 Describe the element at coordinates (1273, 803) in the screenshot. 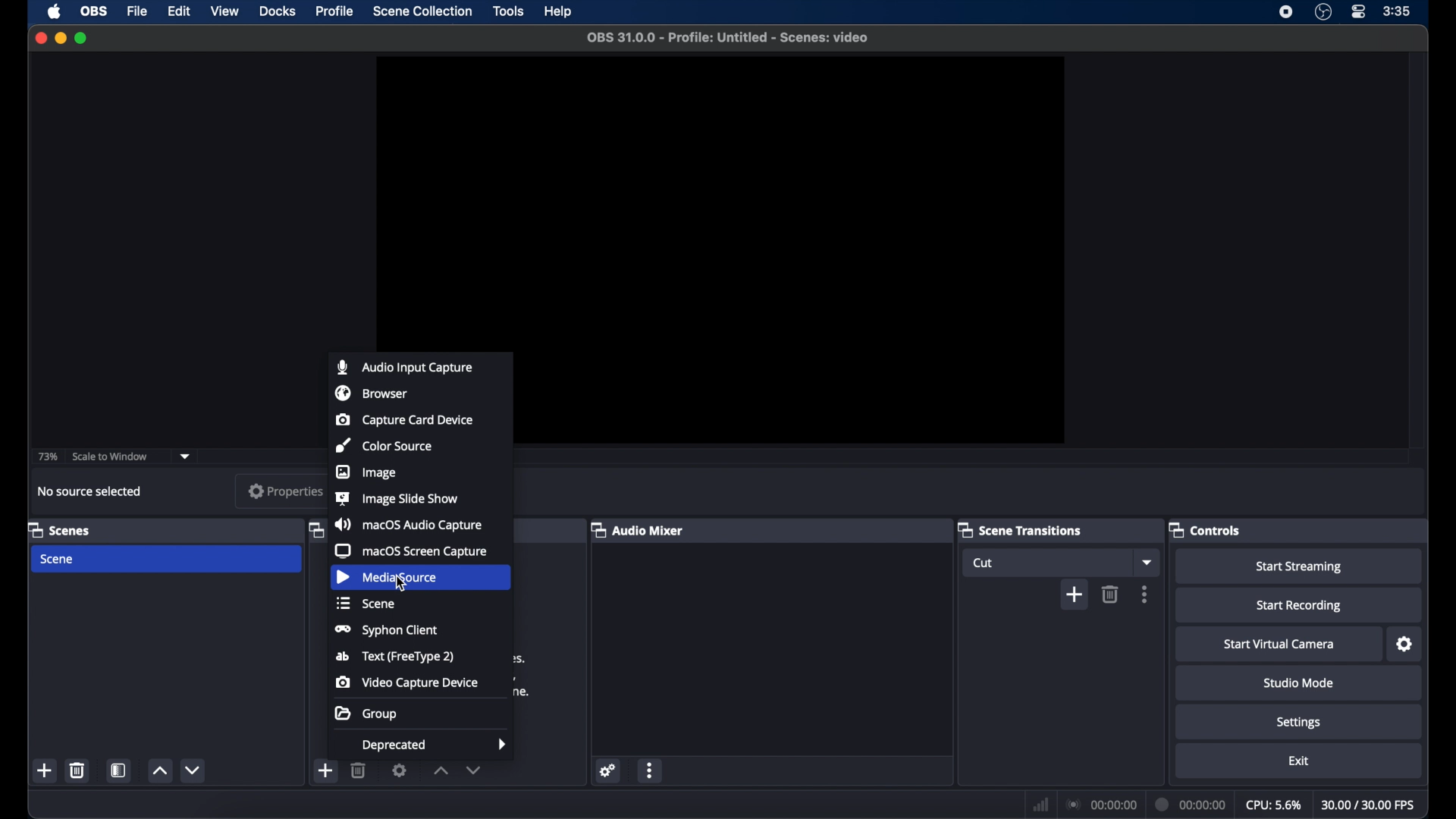

I see `cpu` at that location.